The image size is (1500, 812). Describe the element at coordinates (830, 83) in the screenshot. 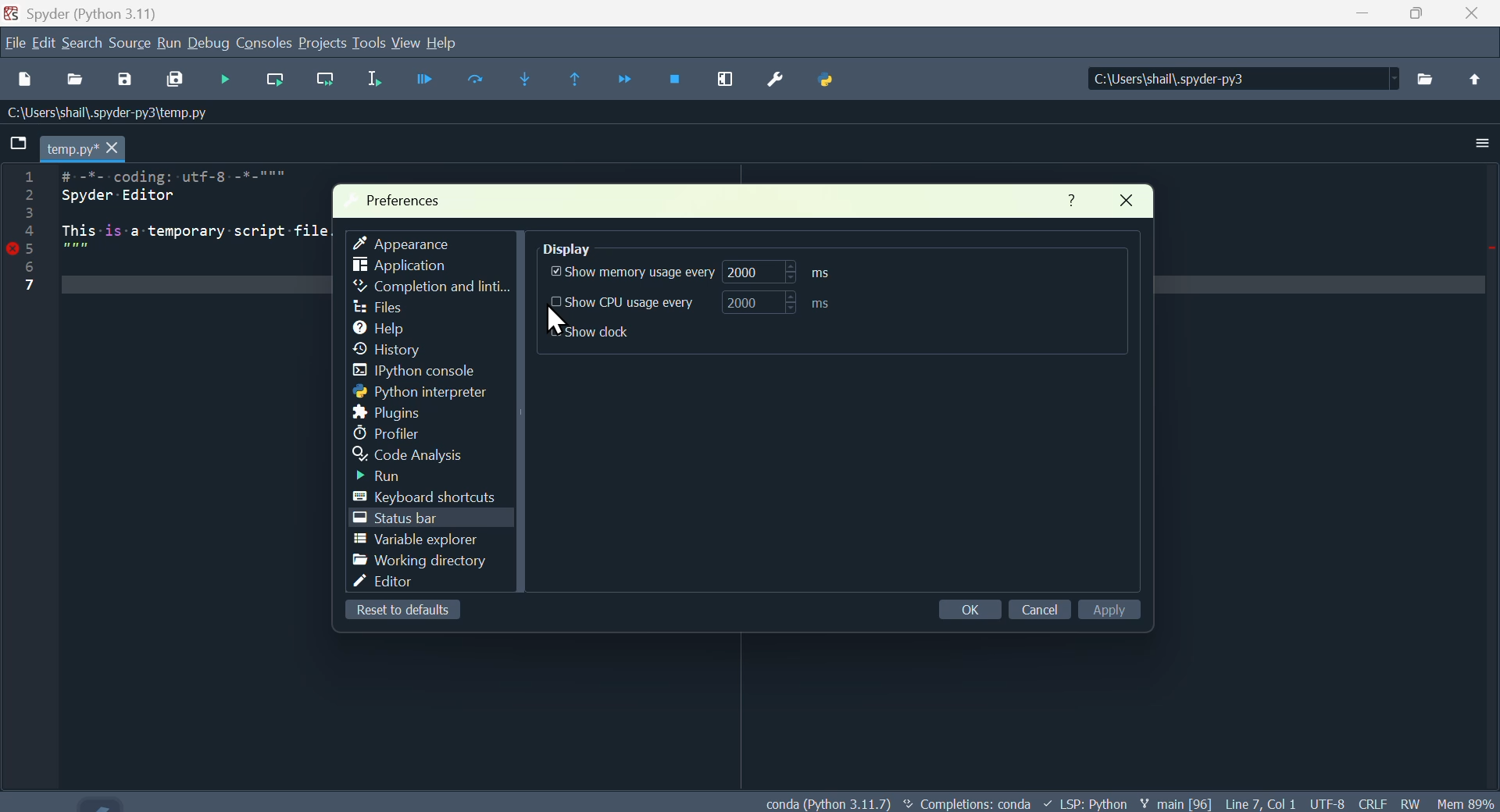

I see `Python path manager` at that location.